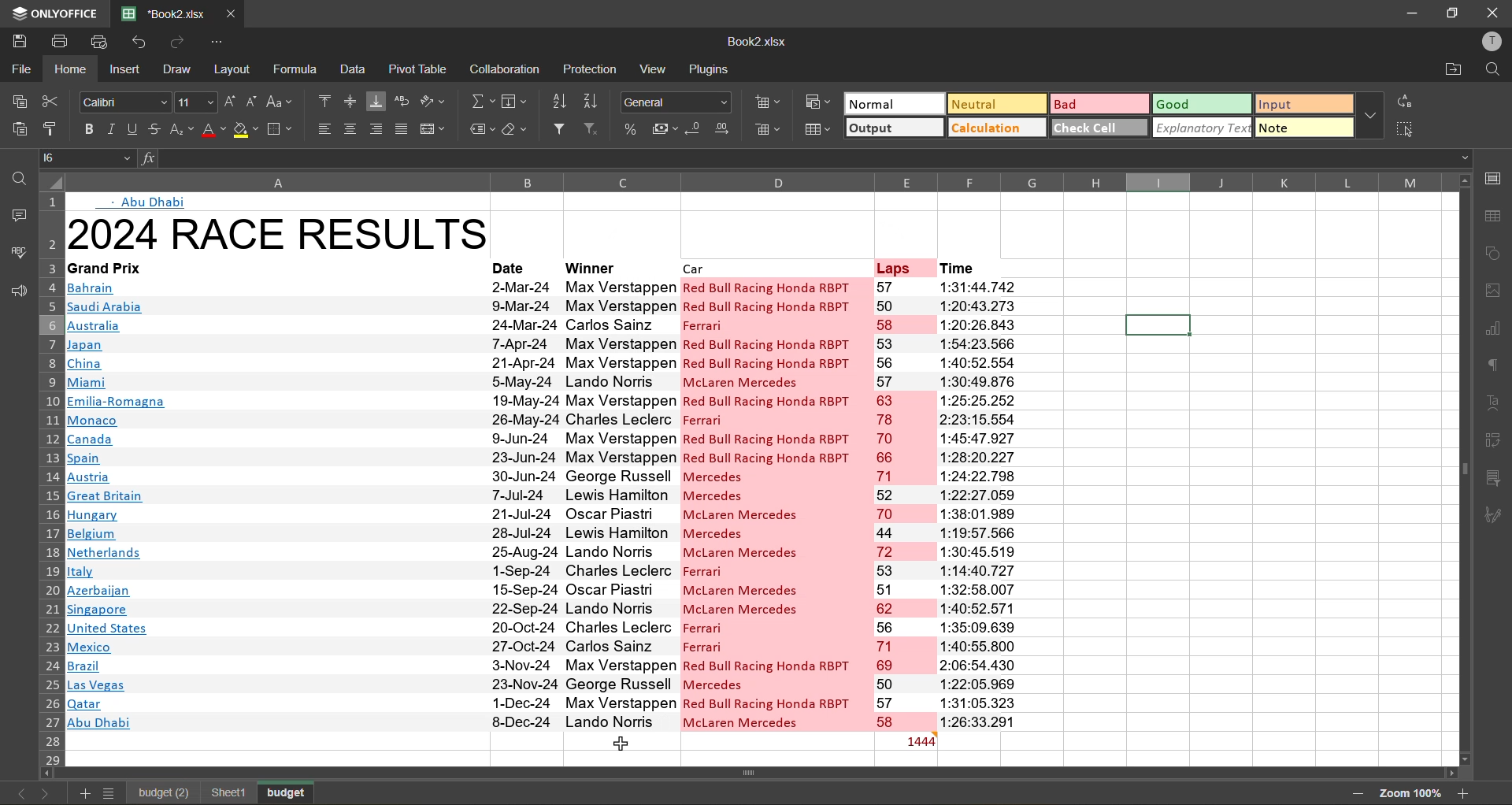 The width and height of the screenshot is (1512, 805). What do you see at coordinates (481, 104) in the screenshot?
I see `summation` at bounding box center [481, 104].